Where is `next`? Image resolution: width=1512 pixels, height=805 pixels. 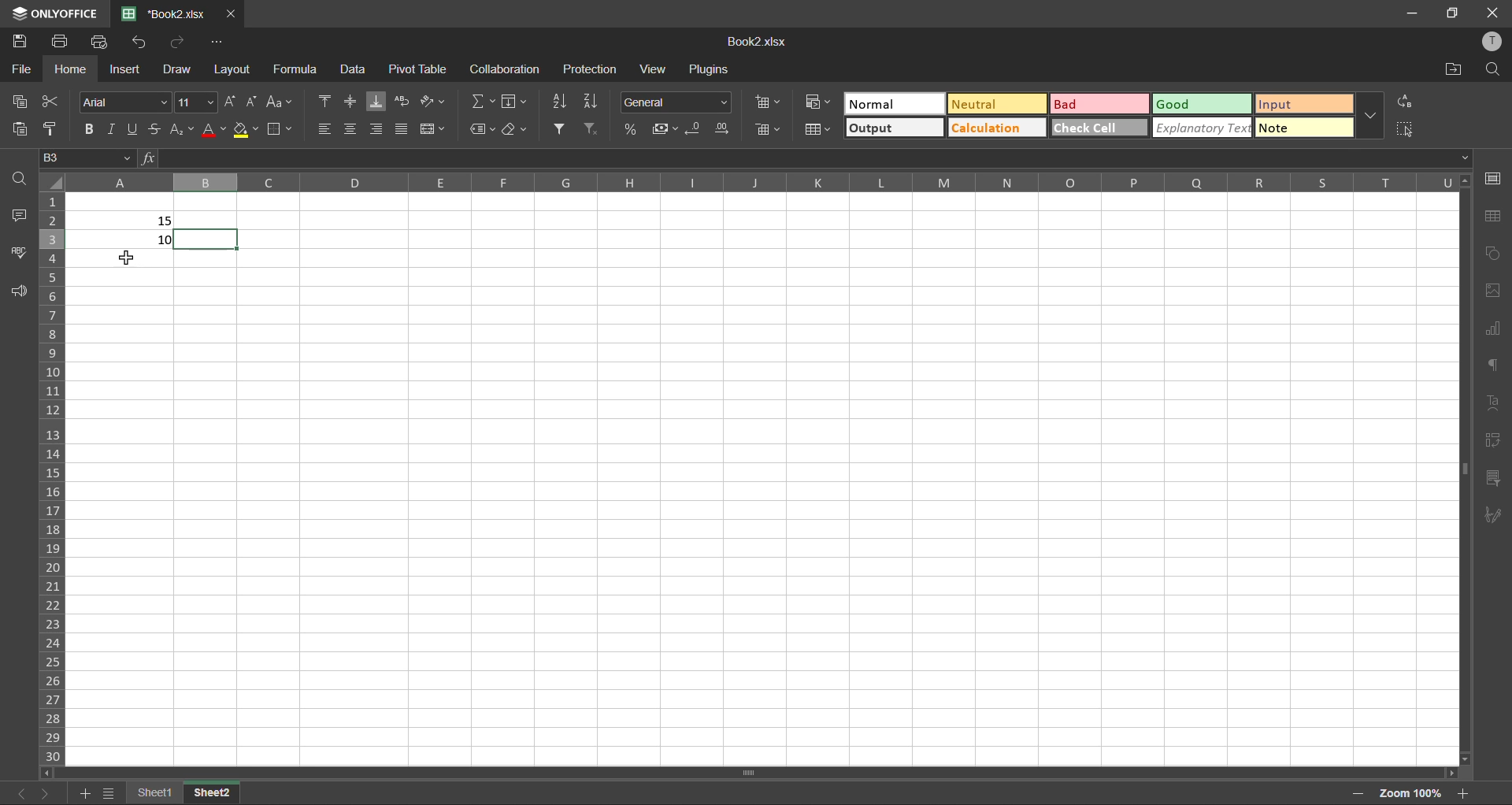 next is located at coordinates (46, 792).